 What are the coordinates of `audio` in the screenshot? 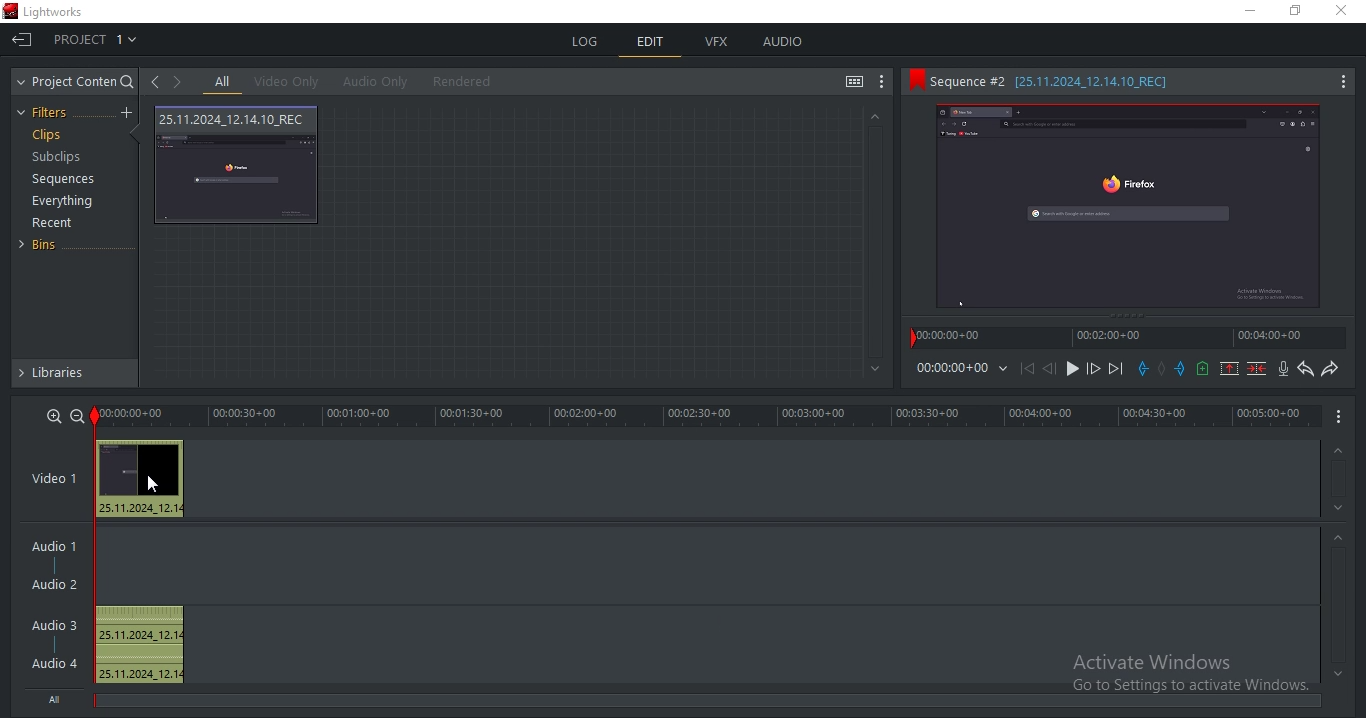 It's located at (57, 608).